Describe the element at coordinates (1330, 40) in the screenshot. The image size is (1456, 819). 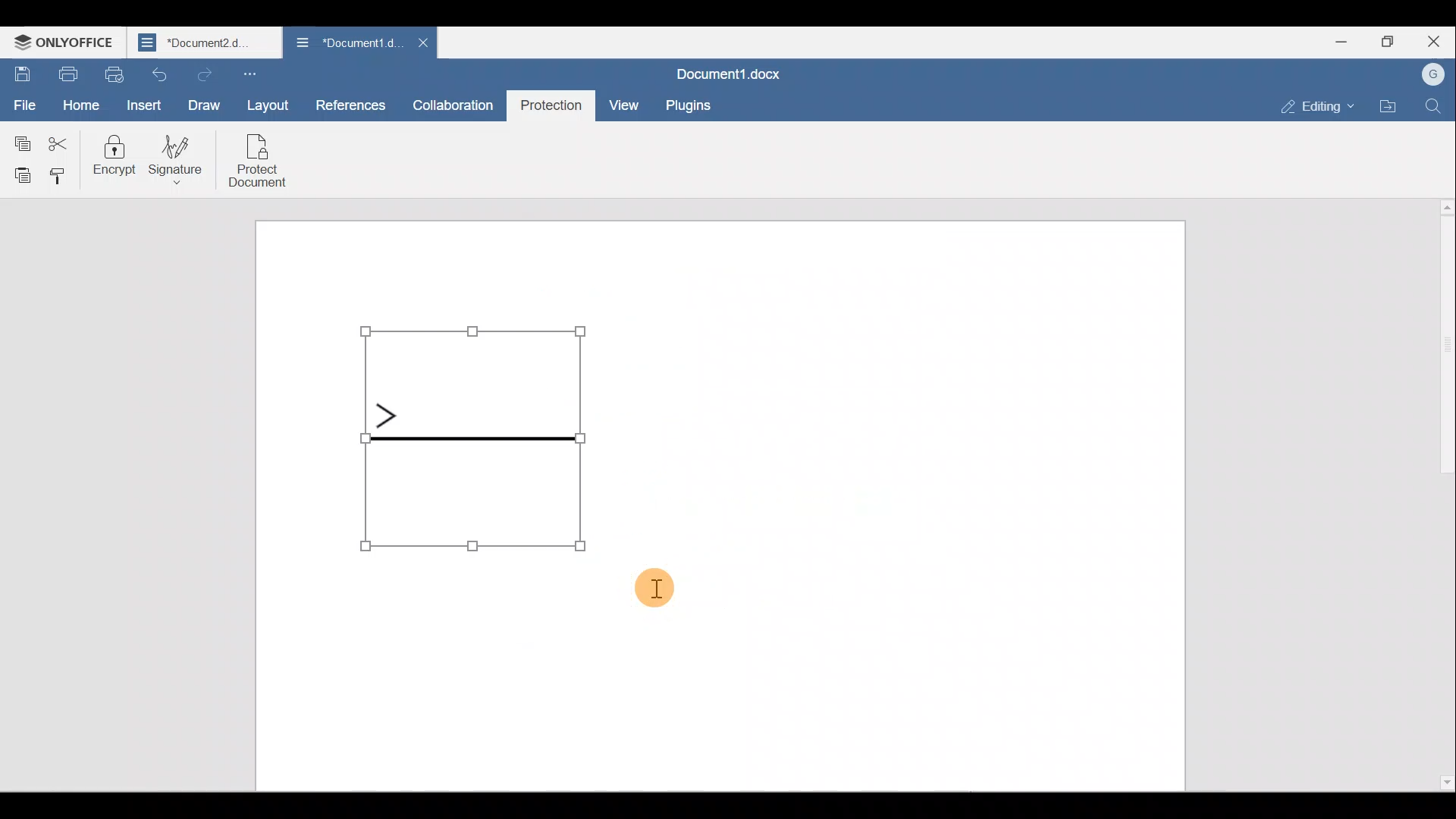
I see `Minimize` at that location.